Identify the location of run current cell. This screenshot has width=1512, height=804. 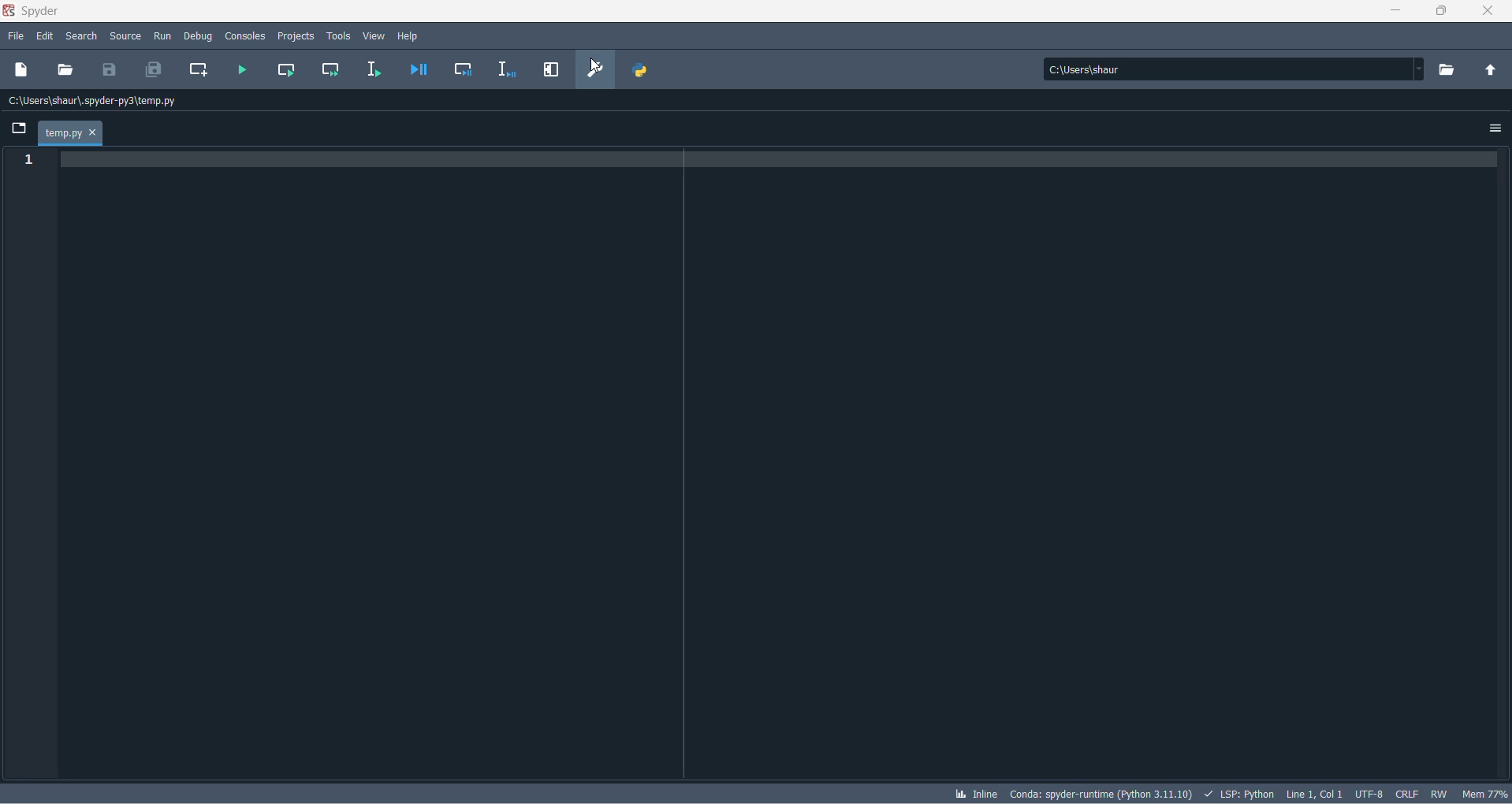
(283, 71).